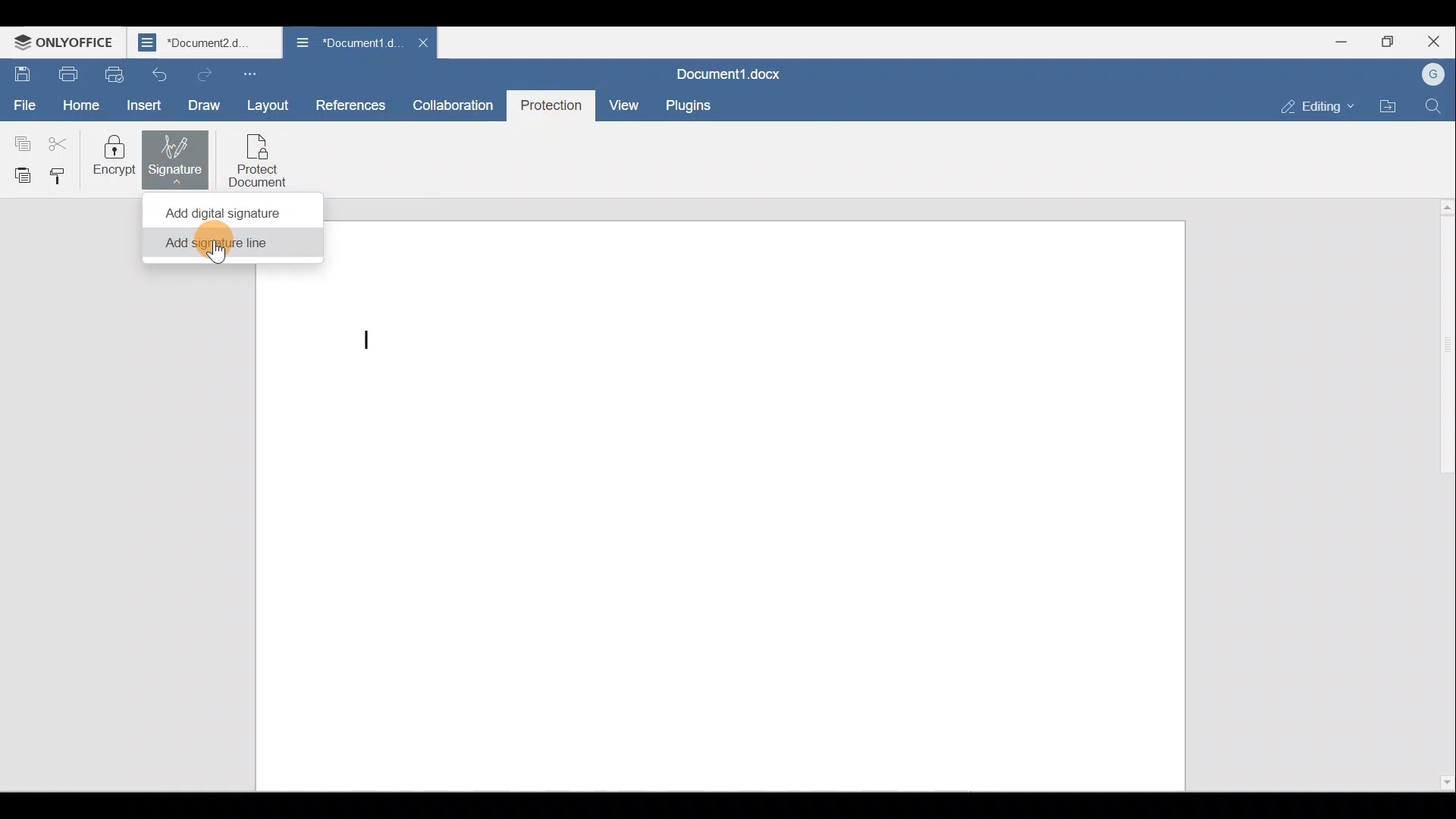 The width and height of the screenshot is (1456, 819). What do you see at coordinates (258, 74) in the screenshot?
I see `Customize quick access toolbar` at bounding box center [258, 74].